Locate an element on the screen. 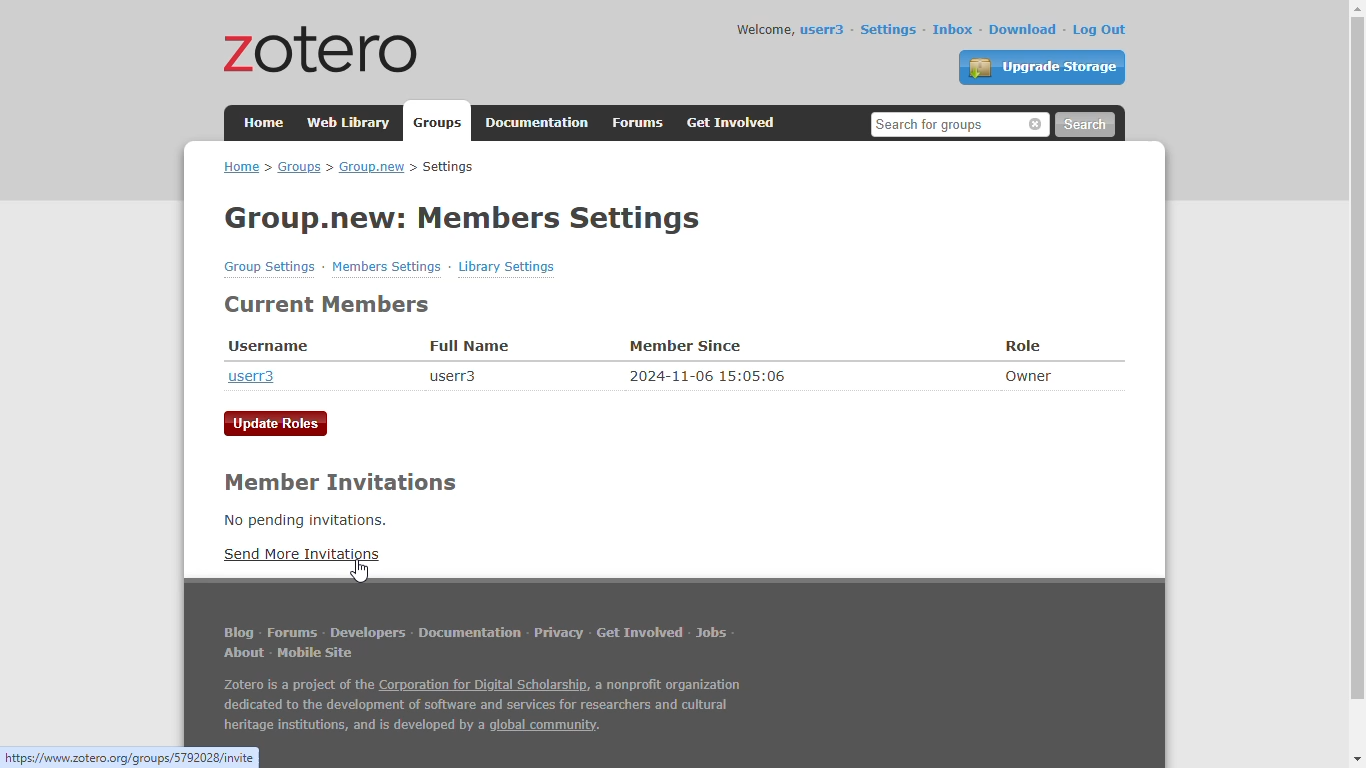 The image size is (1366, 768). groups settings is located at coordinates (271, 267).